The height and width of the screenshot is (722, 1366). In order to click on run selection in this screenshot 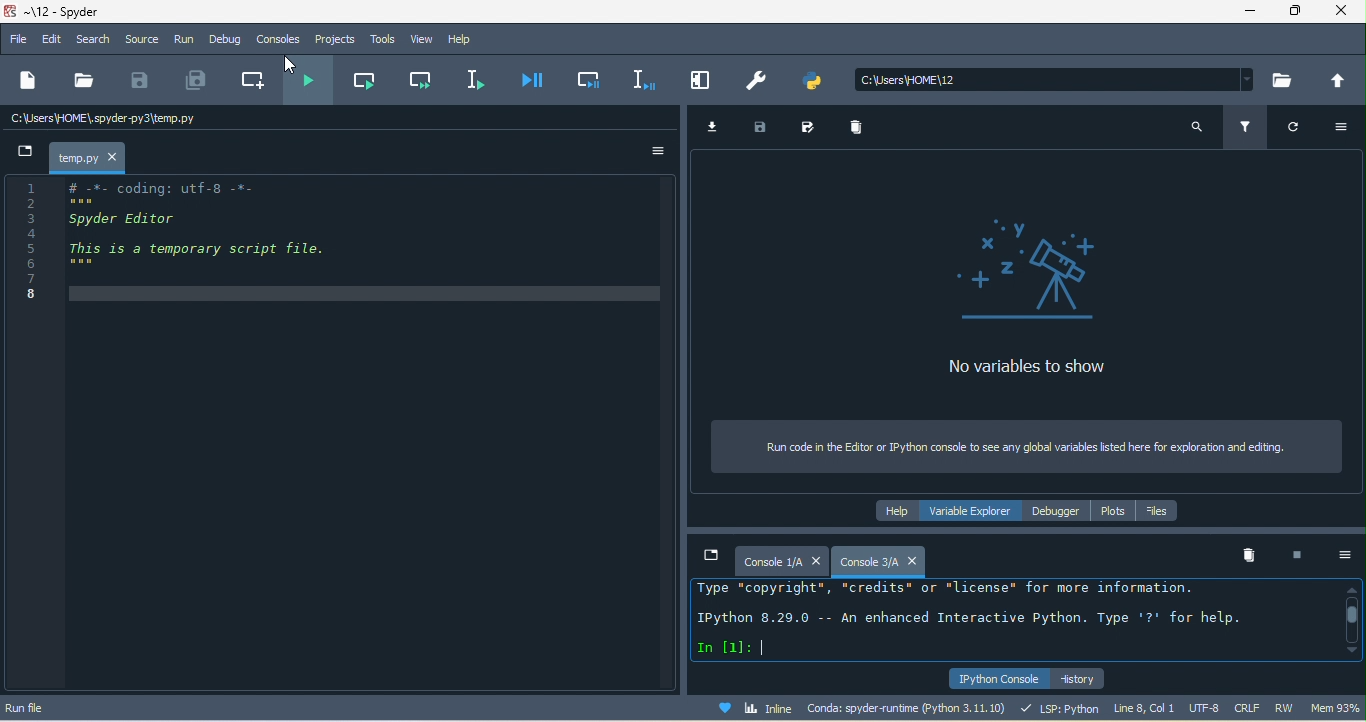, I will do `click(480, 80)`.